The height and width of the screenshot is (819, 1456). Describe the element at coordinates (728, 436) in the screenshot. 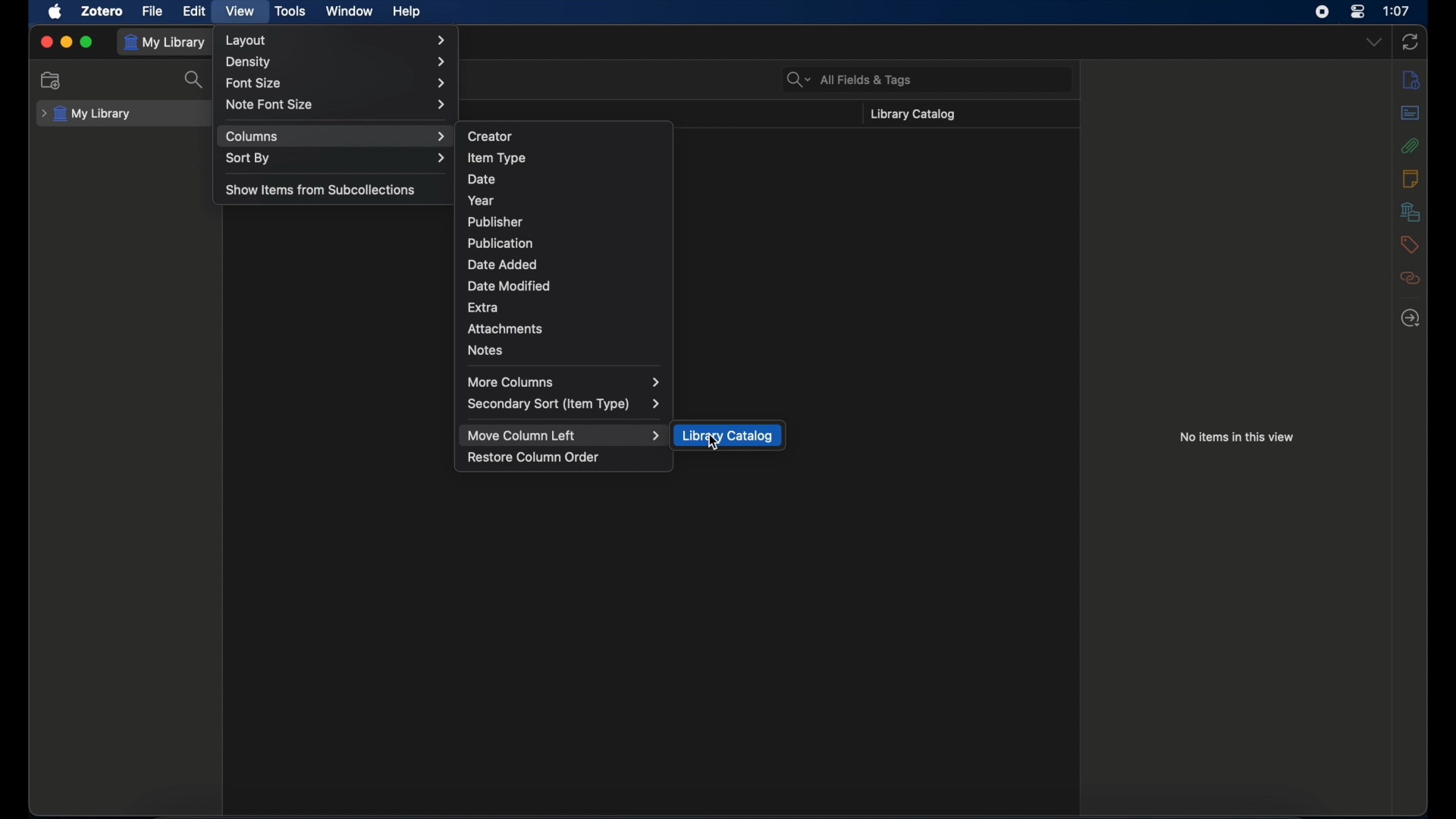

I see `library catalog` at that location.